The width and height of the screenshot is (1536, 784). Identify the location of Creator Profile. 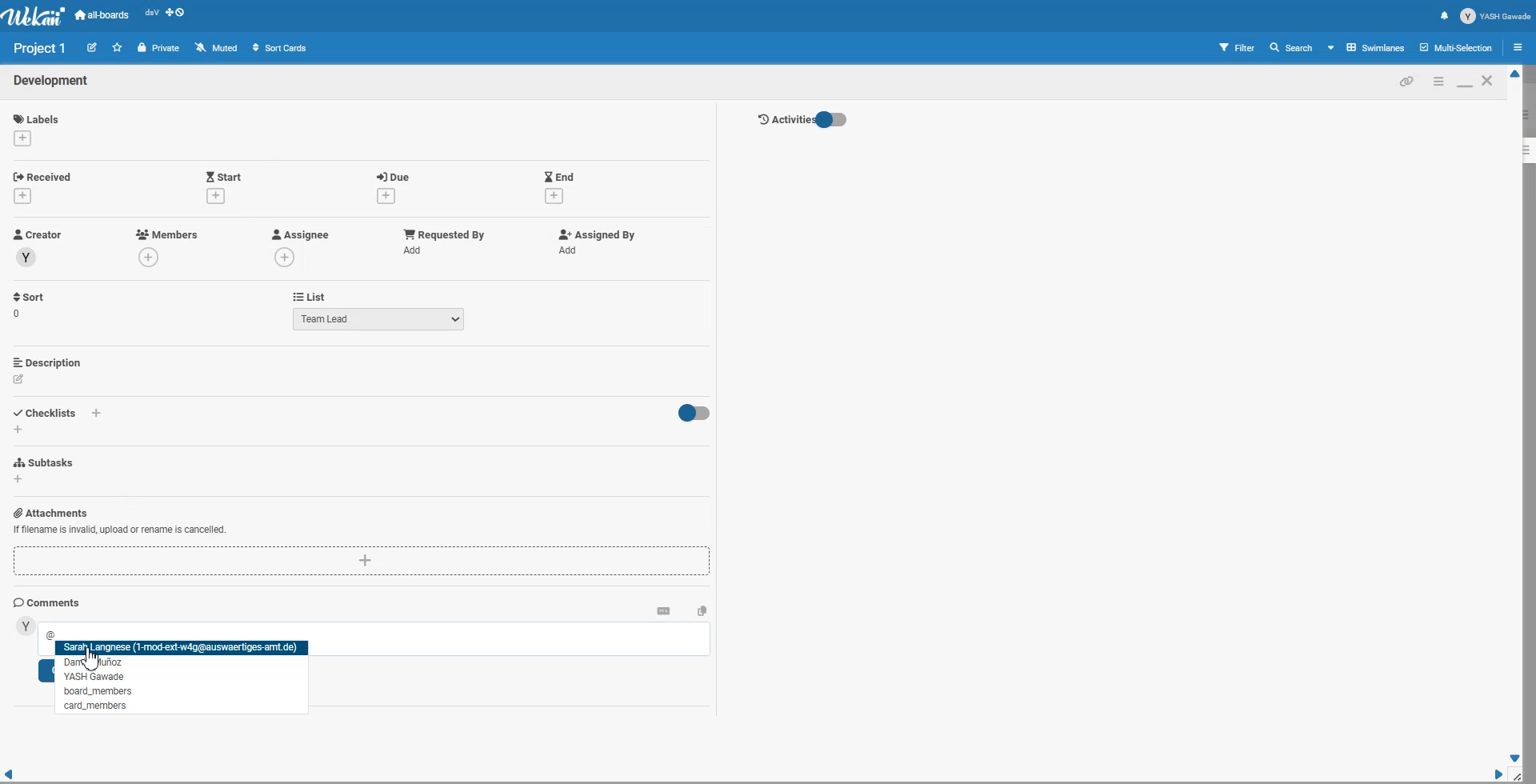
(38, 235).